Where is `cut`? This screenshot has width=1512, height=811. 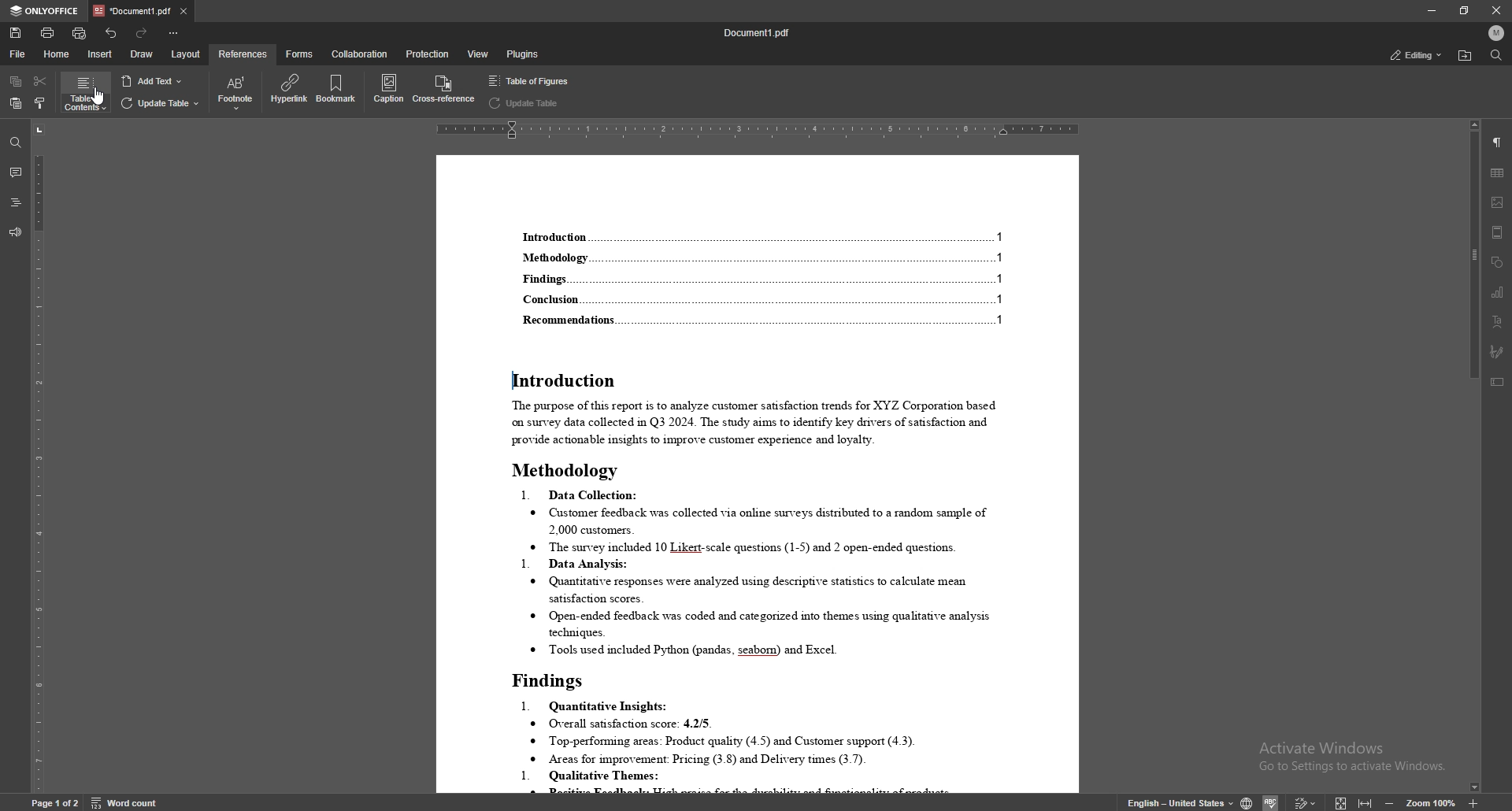
cut is located at coordinates (42, 82).